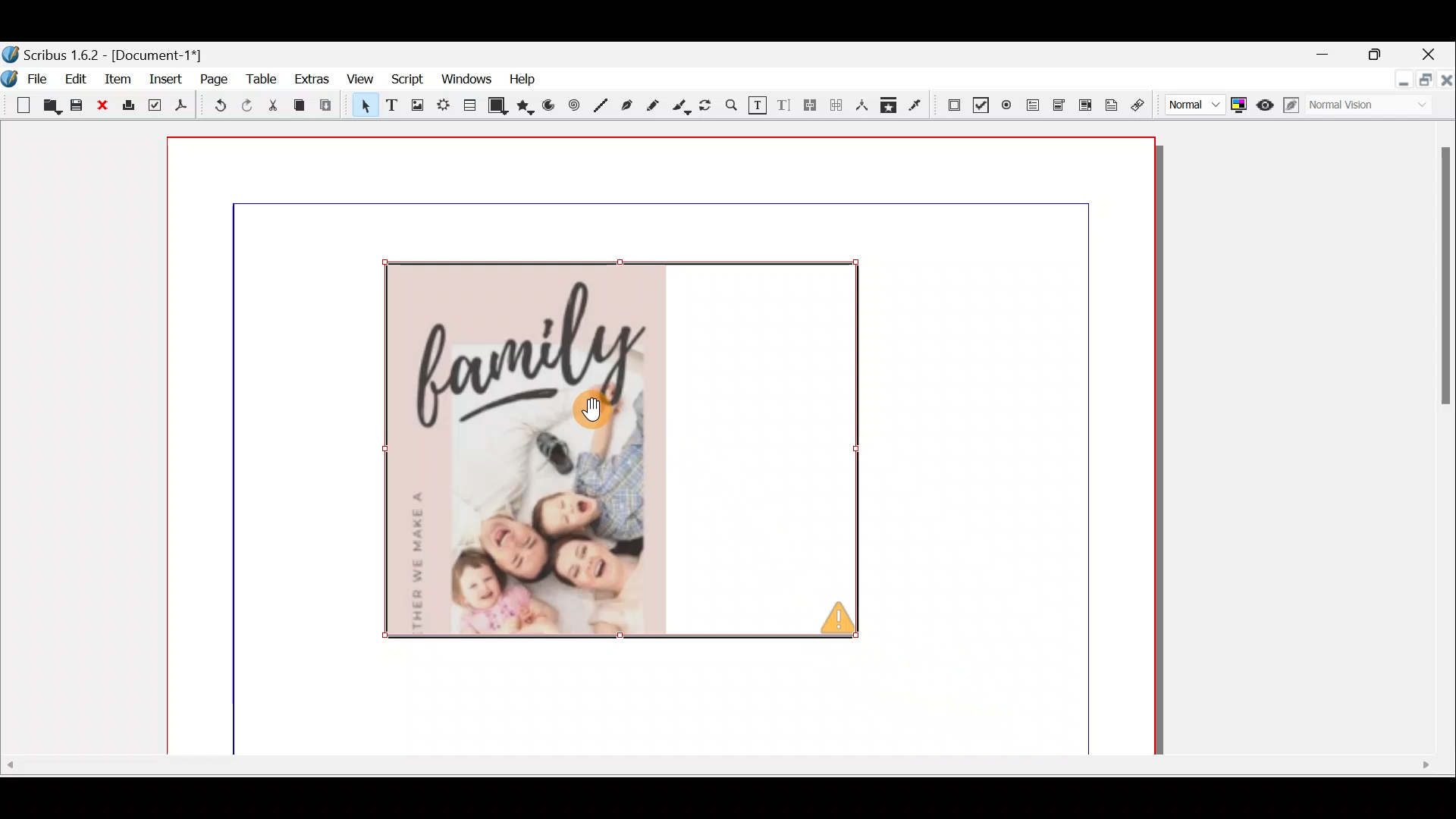  I want to click on Calligraphic line, so click(681, 106).